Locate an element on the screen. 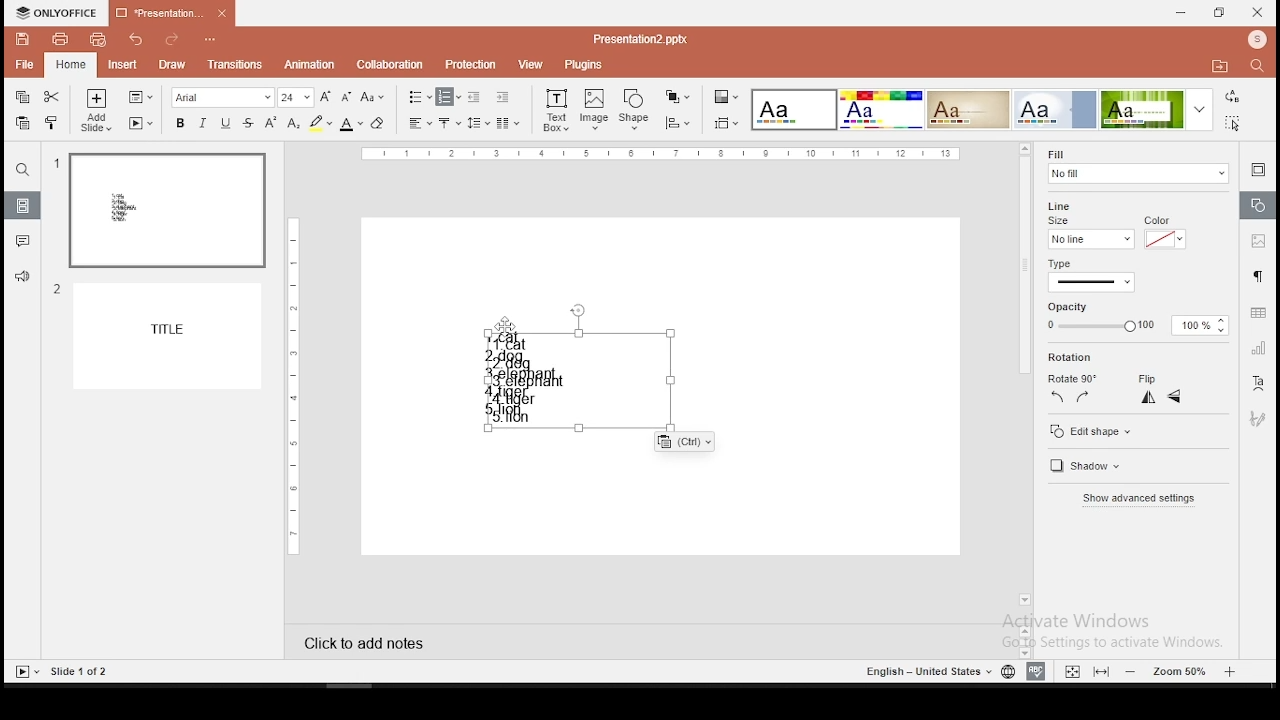  slide  is located at coordinates (172, 337).